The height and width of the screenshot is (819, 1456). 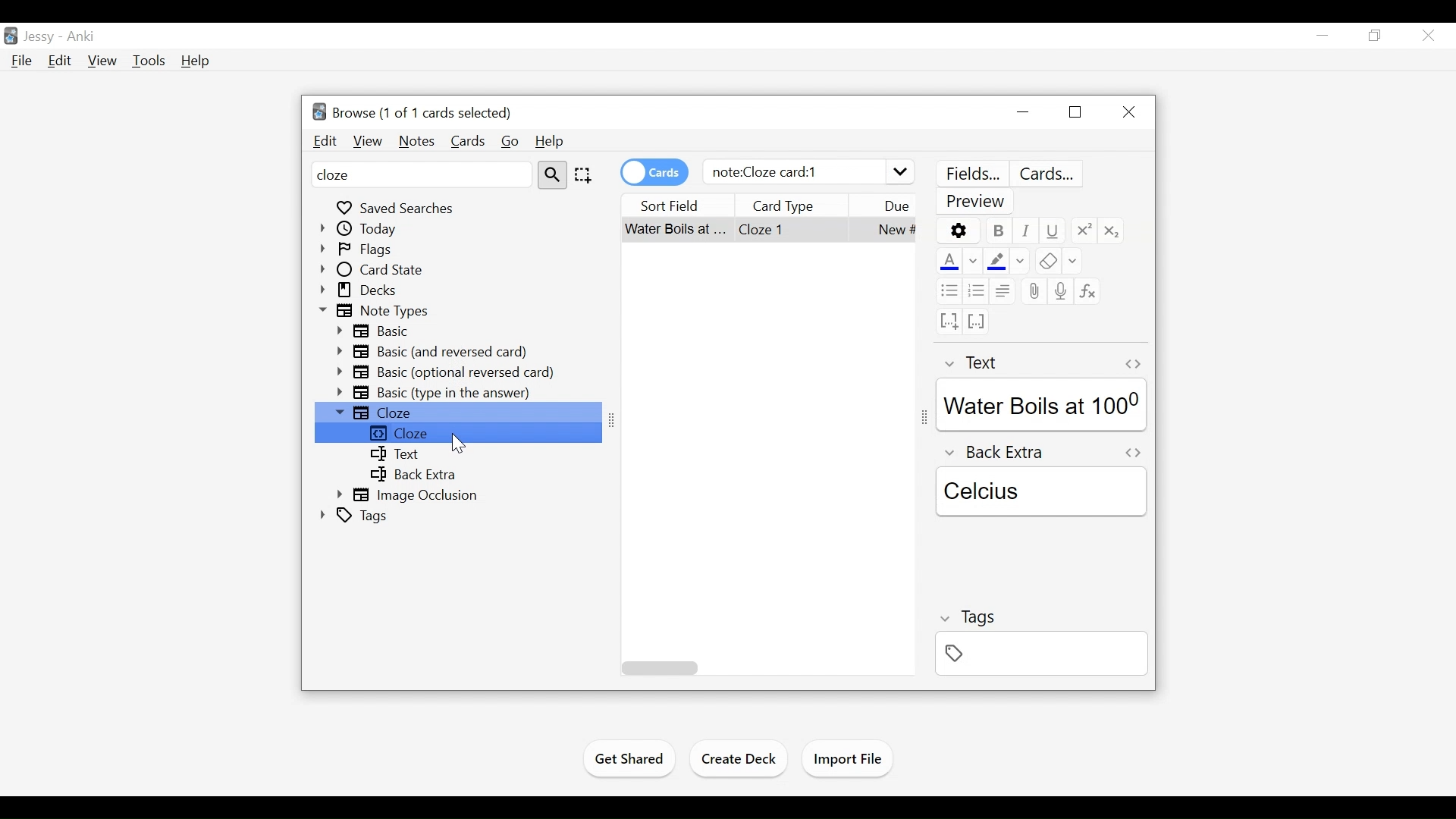 What do you see at coordinates (898, 231) in the screenshot?
I see `Due` at bounding box center [898, 231].